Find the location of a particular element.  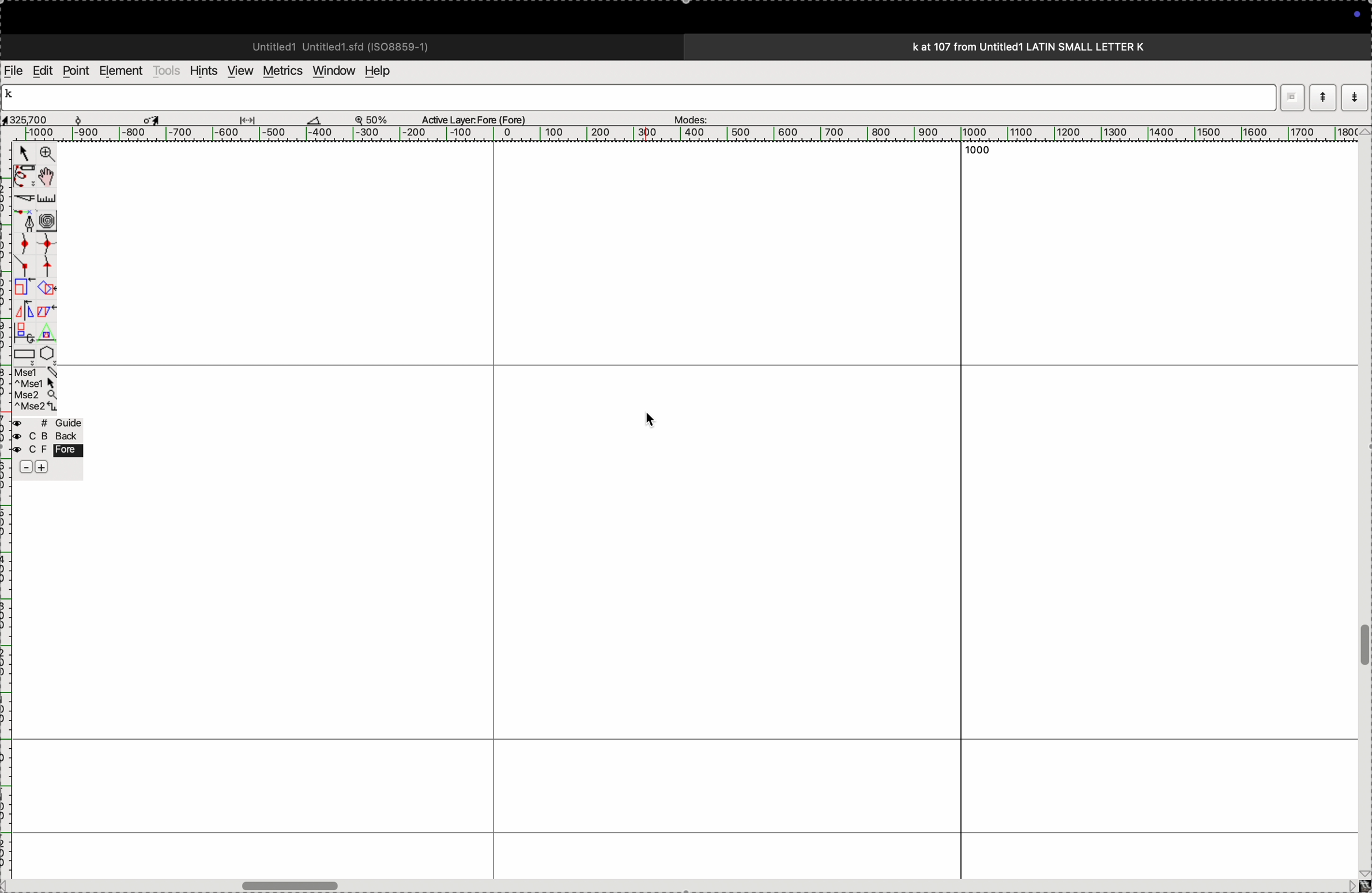

toggle is located at coordinates (1363, 646).